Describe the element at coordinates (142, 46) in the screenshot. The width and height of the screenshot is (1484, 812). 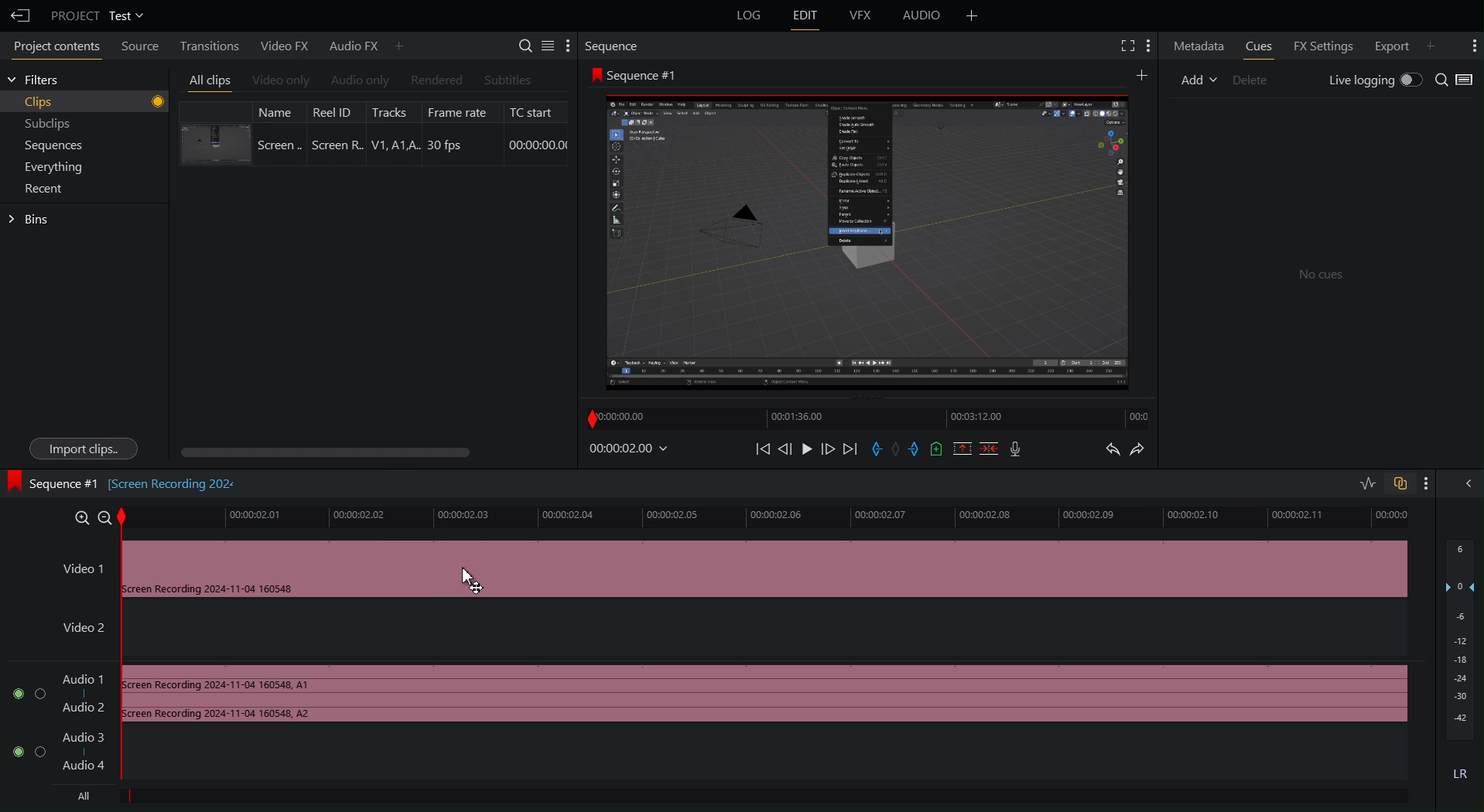
I see `Source` at that location.